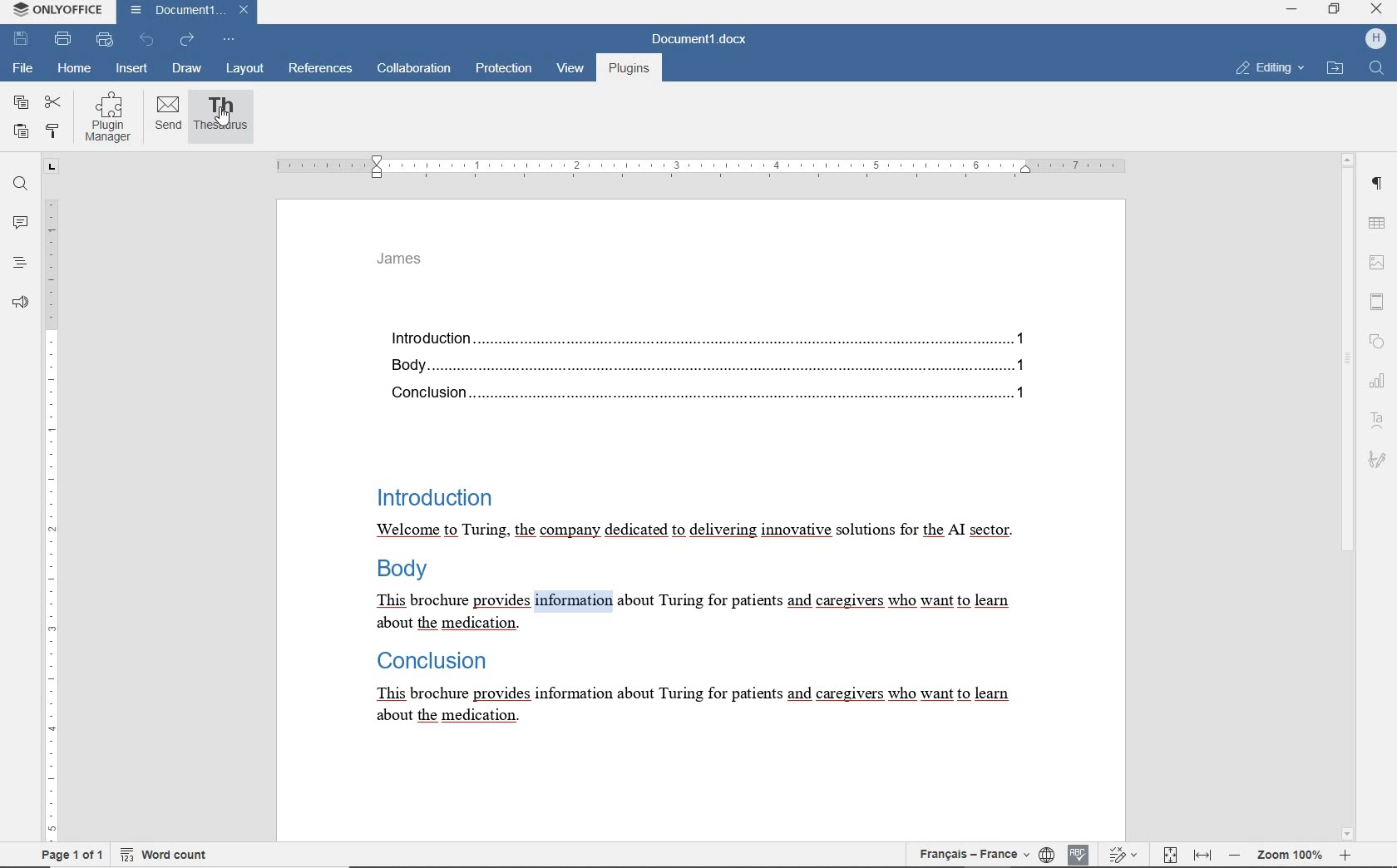  What do you see at coordinates (628, 70) in the screenshot?
I see `PLUGINS` at bounding box center [628, 70].